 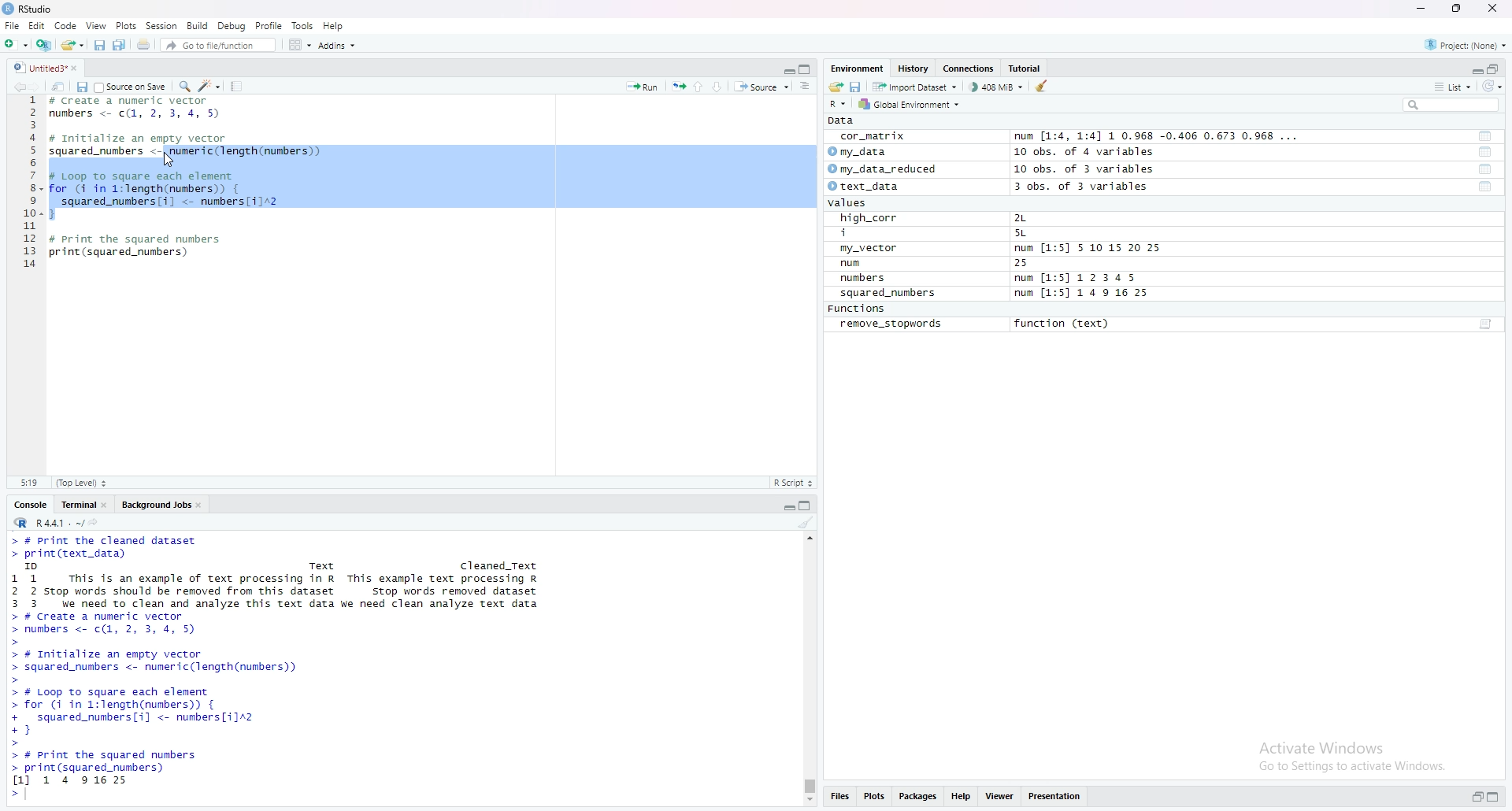 What do you see at coordinates (1084, 169) in the screenshot?
I see `10 obs. of 3 variables` at bounding box center [1084, 169].